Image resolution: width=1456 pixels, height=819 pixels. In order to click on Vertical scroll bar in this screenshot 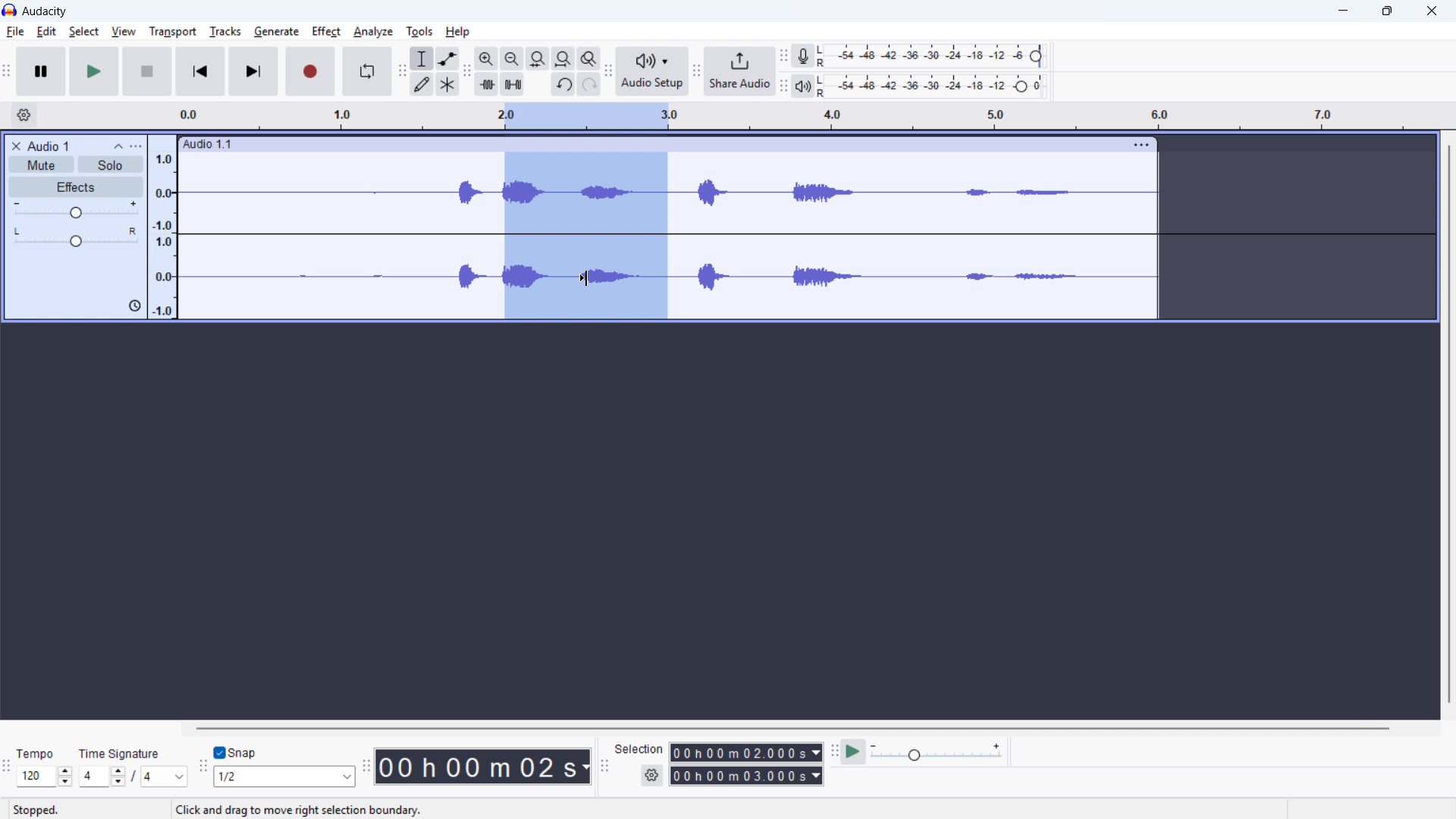, I will do `click(1450, 425)`.